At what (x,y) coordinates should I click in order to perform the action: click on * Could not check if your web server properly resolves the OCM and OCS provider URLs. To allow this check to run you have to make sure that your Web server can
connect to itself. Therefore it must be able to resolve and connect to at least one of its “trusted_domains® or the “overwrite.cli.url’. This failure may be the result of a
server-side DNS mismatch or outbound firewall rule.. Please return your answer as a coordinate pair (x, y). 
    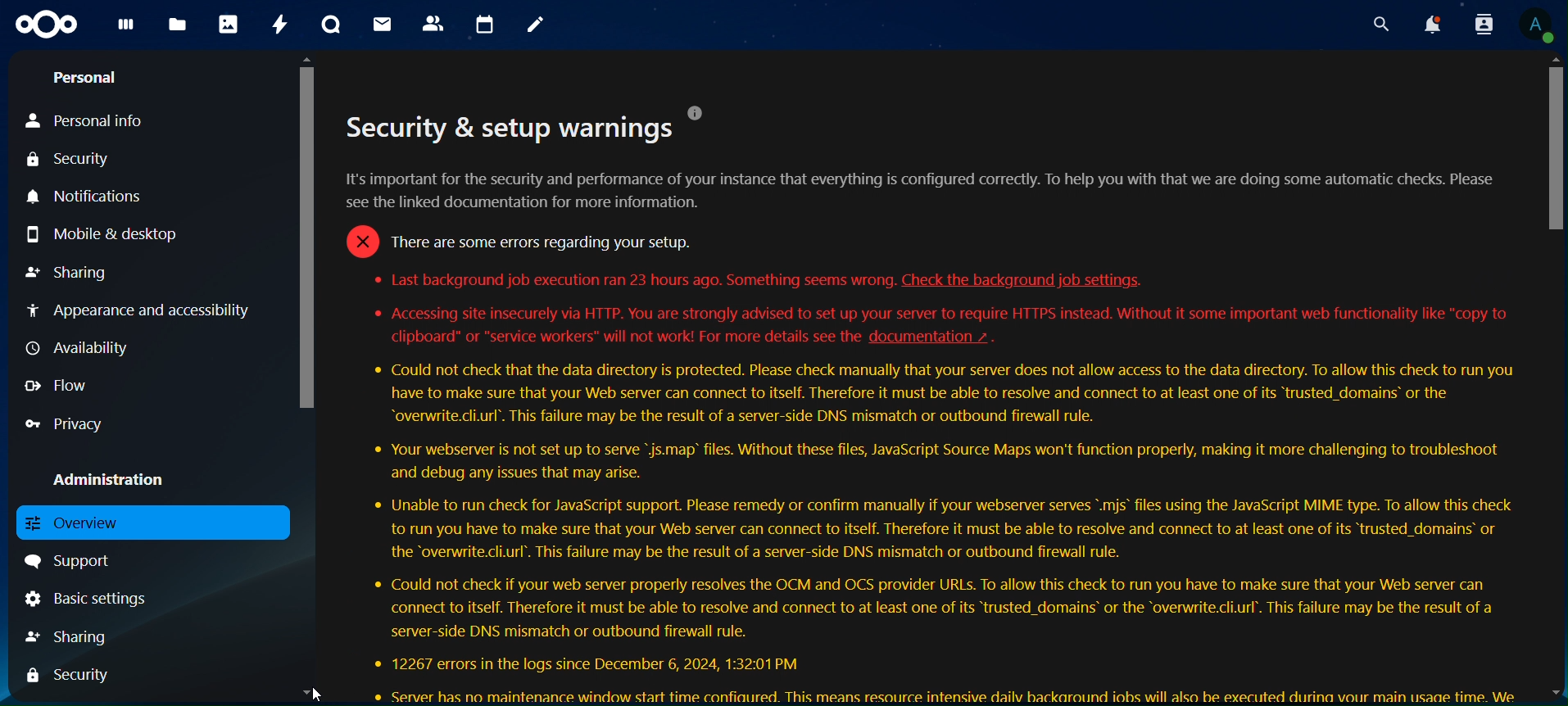
    Looking at the image, I should click on (931, 607).